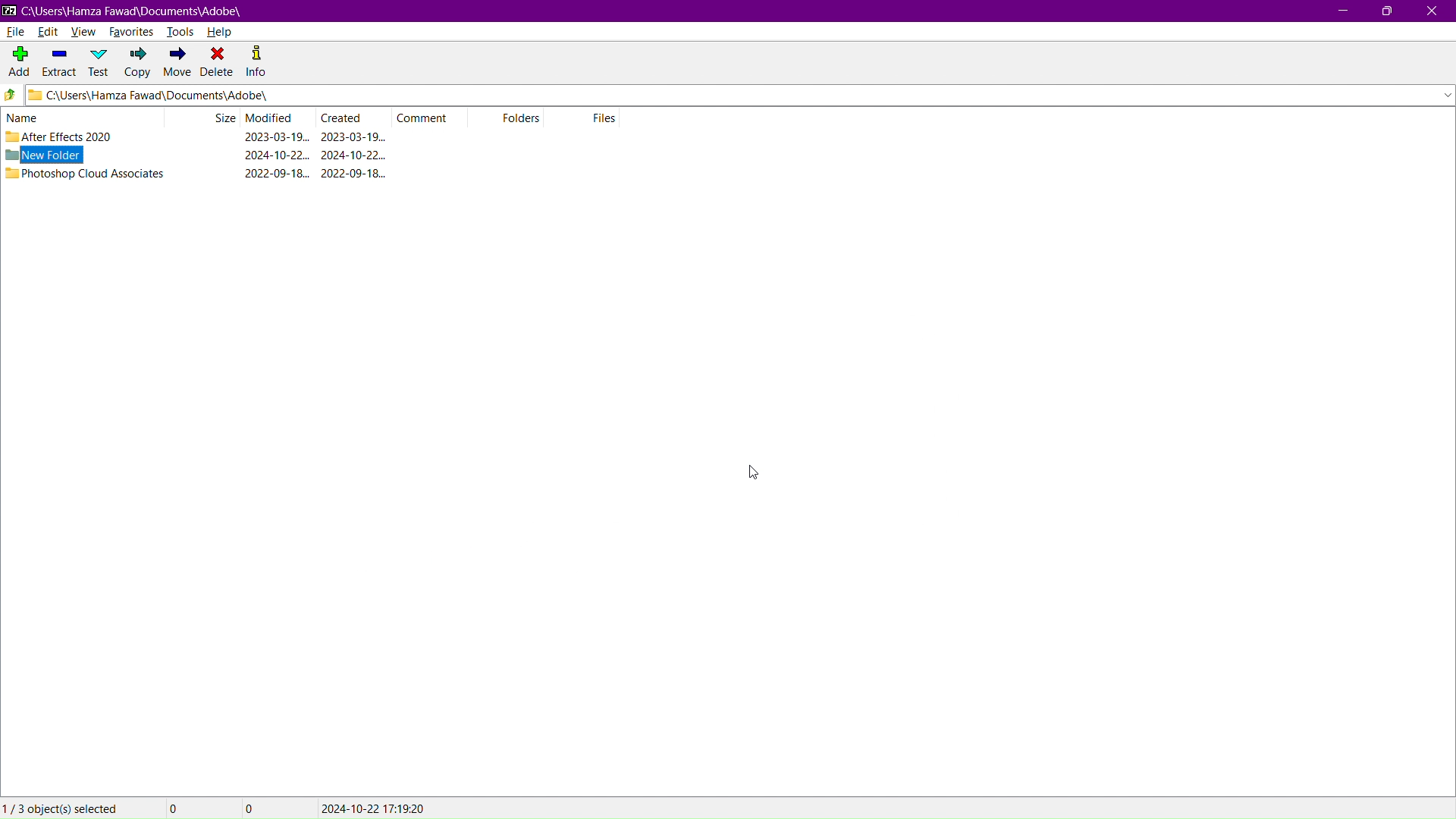 The height and width of the screenshot is (819, 1456). What do you see at coordinates (262, 63) in the screenshot?
I see `Info` at bounding box center [262, 63].